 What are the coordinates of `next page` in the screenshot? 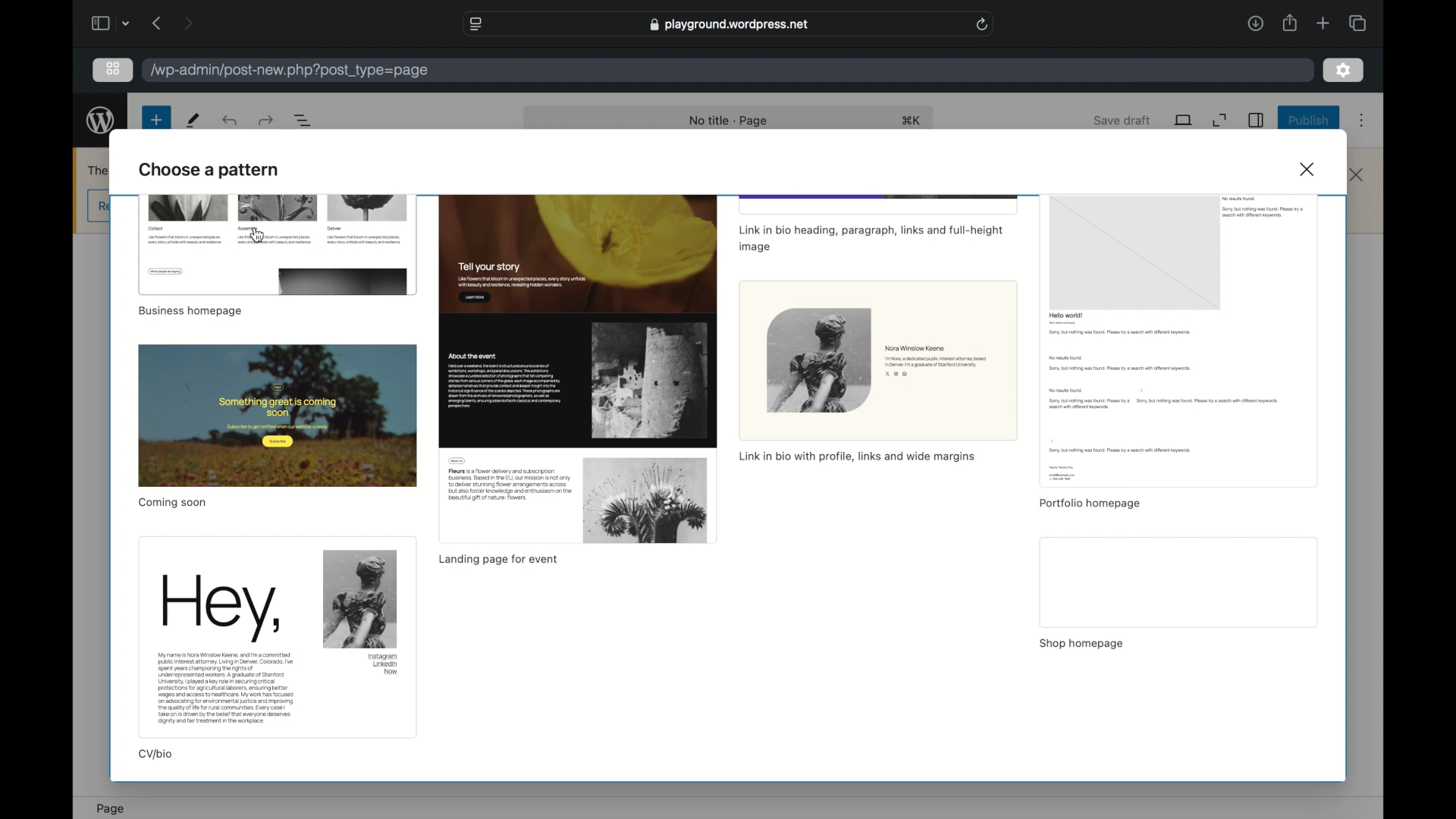 It's located at (188, 23).